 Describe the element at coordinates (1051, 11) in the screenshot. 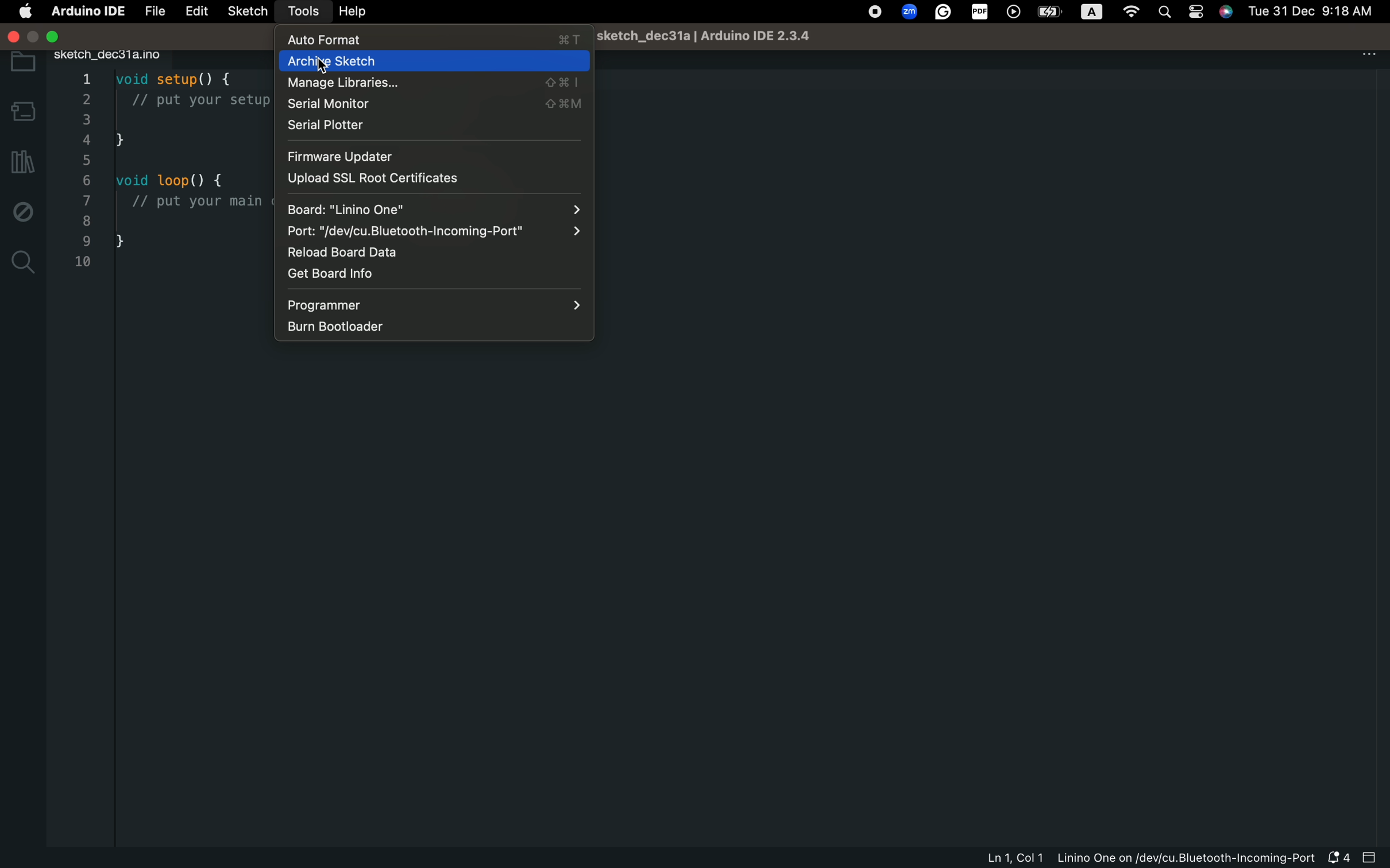

I see `battery` at that location.